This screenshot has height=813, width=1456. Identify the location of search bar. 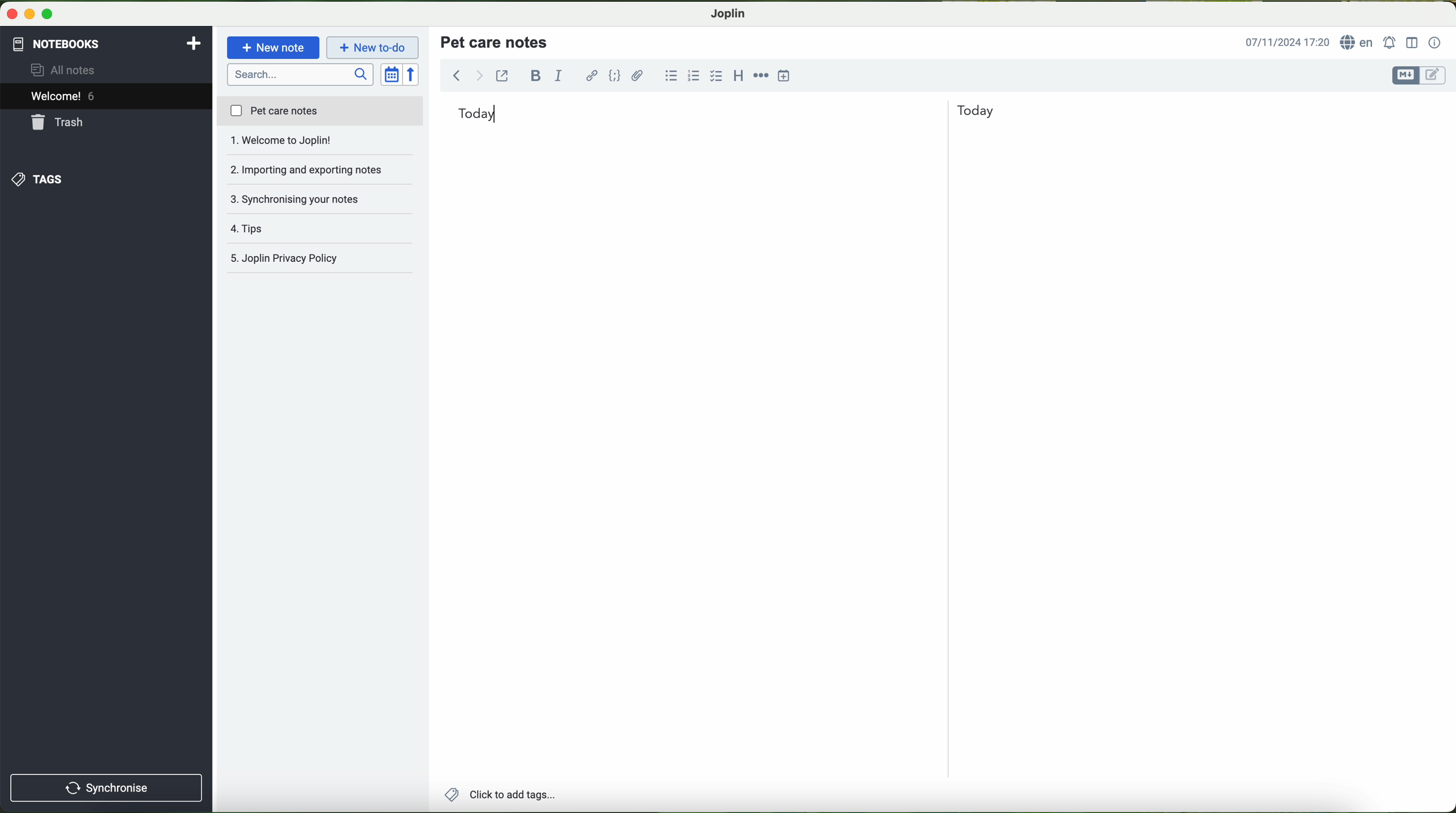
(302, 73).